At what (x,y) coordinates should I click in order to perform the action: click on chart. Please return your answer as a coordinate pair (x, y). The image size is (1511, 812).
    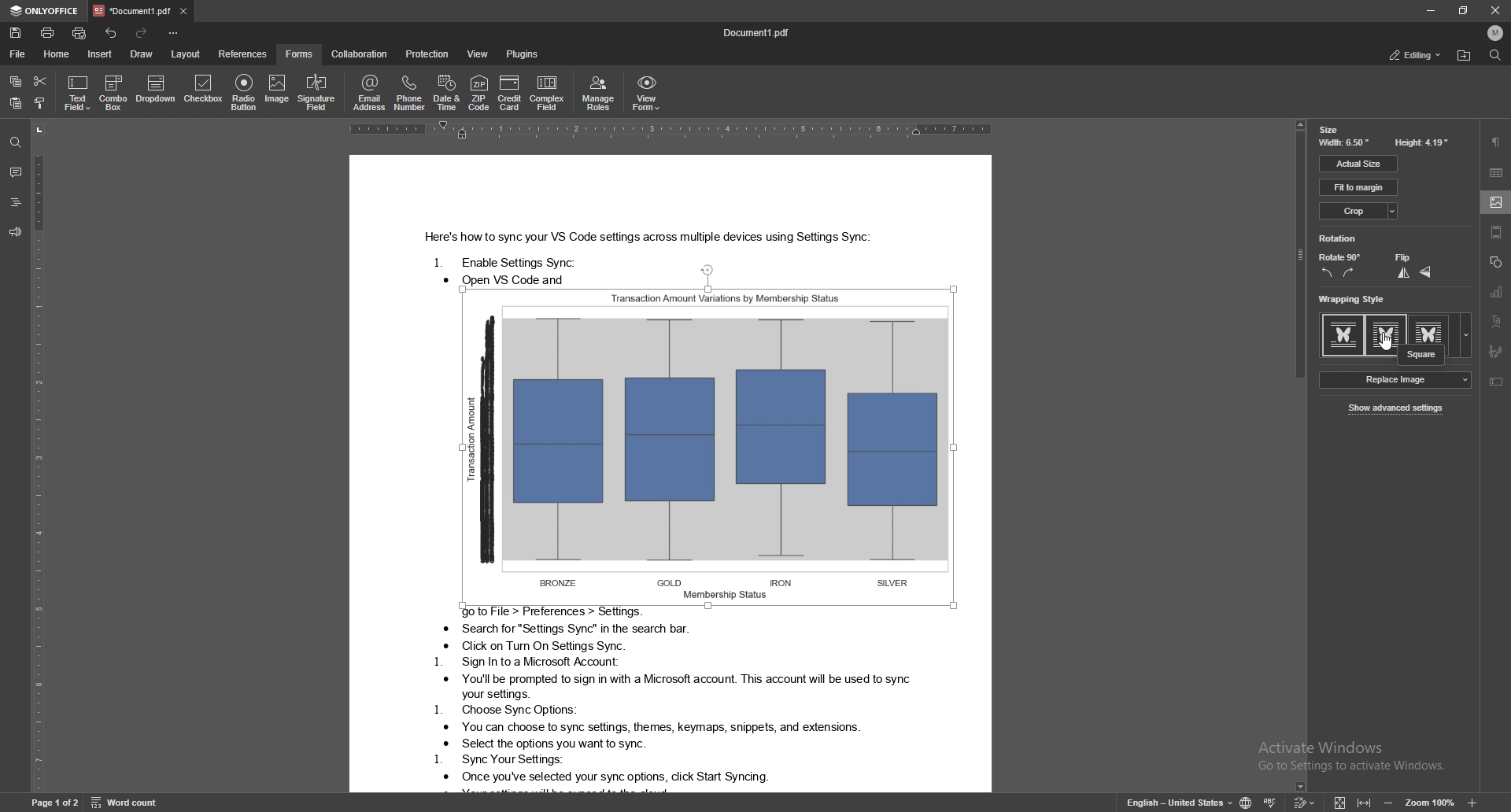
    Looking at the image, I should click on (1498, 292).